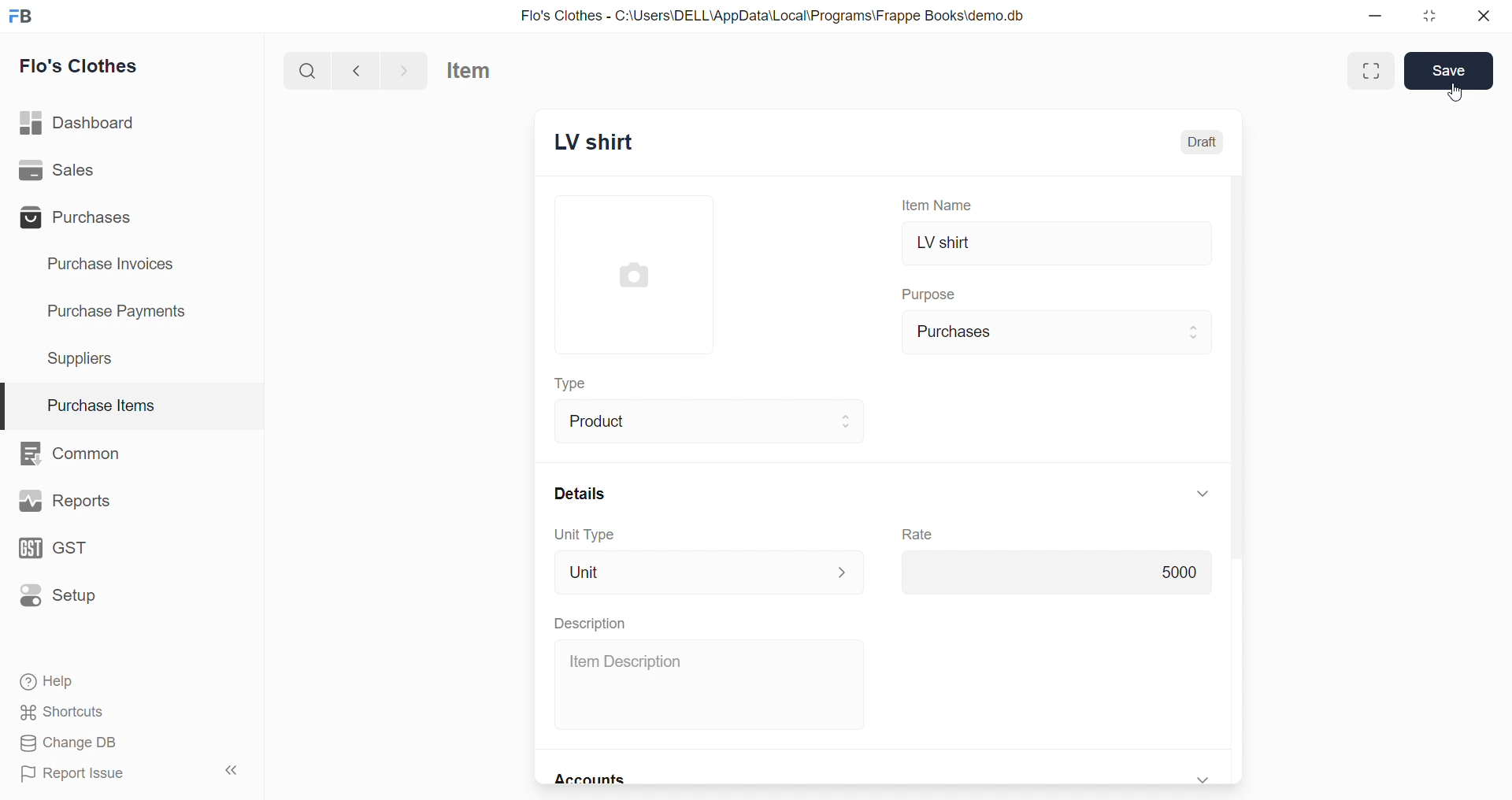 This screenshot has width=1512, height=800. What do you see at coordinates (1430, 16) in the screenshot?
I see `resize` at bounding box center [1430, 16].